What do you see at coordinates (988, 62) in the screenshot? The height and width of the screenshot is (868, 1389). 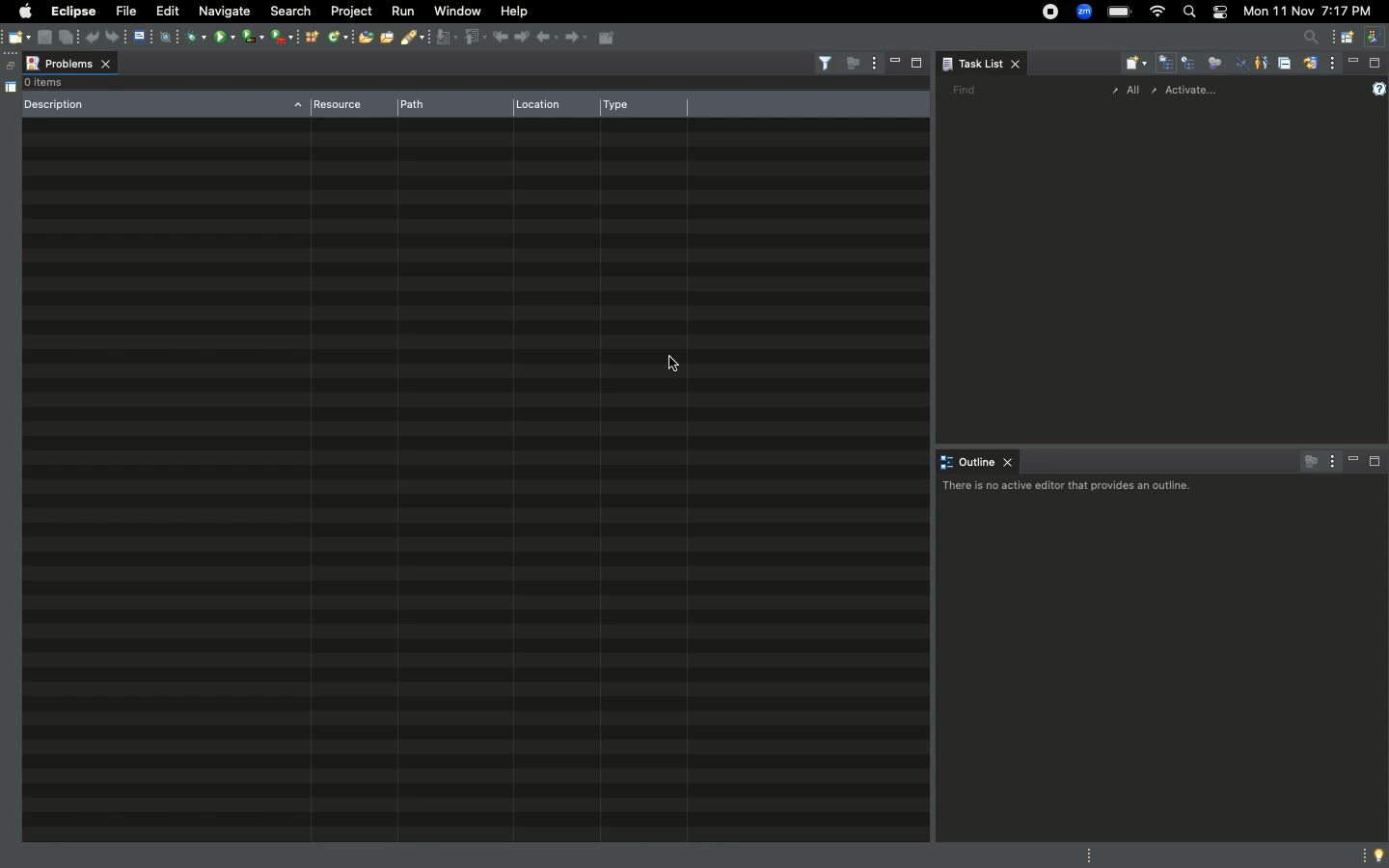 I see `task list` at bounding box center [988, 62].